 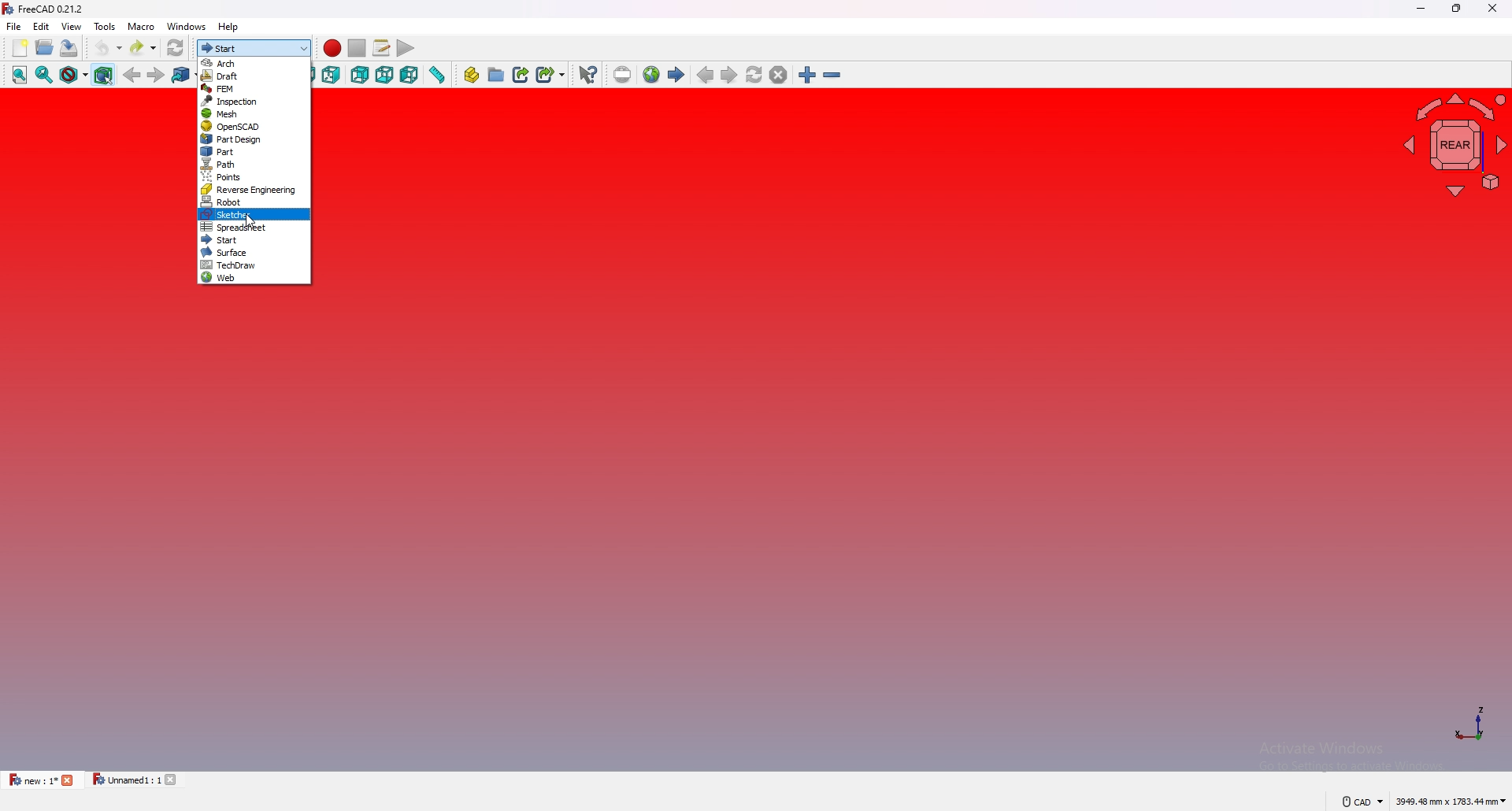 What do you see at coordinates (1358, 801) in the screenshot?
I see `CAD` at bounding box center [1358, 801].